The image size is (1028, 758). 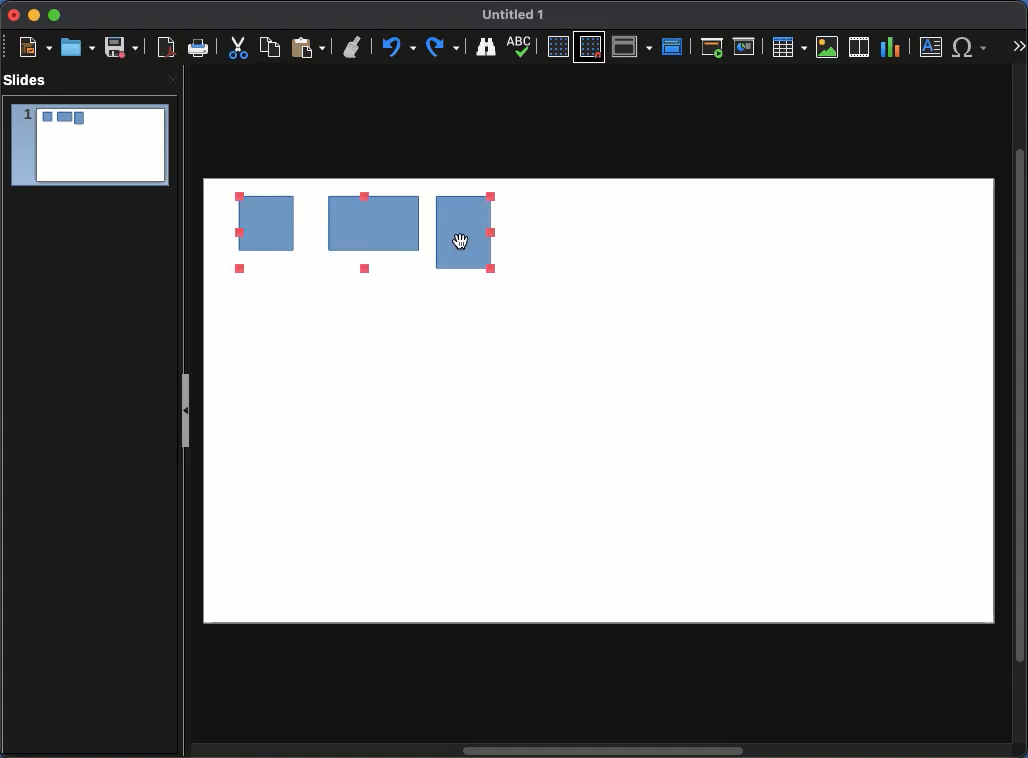 What do you see at coordinates (33, 16) in the screenshot?
I see `Minimize` at bounding box center [33, 16].